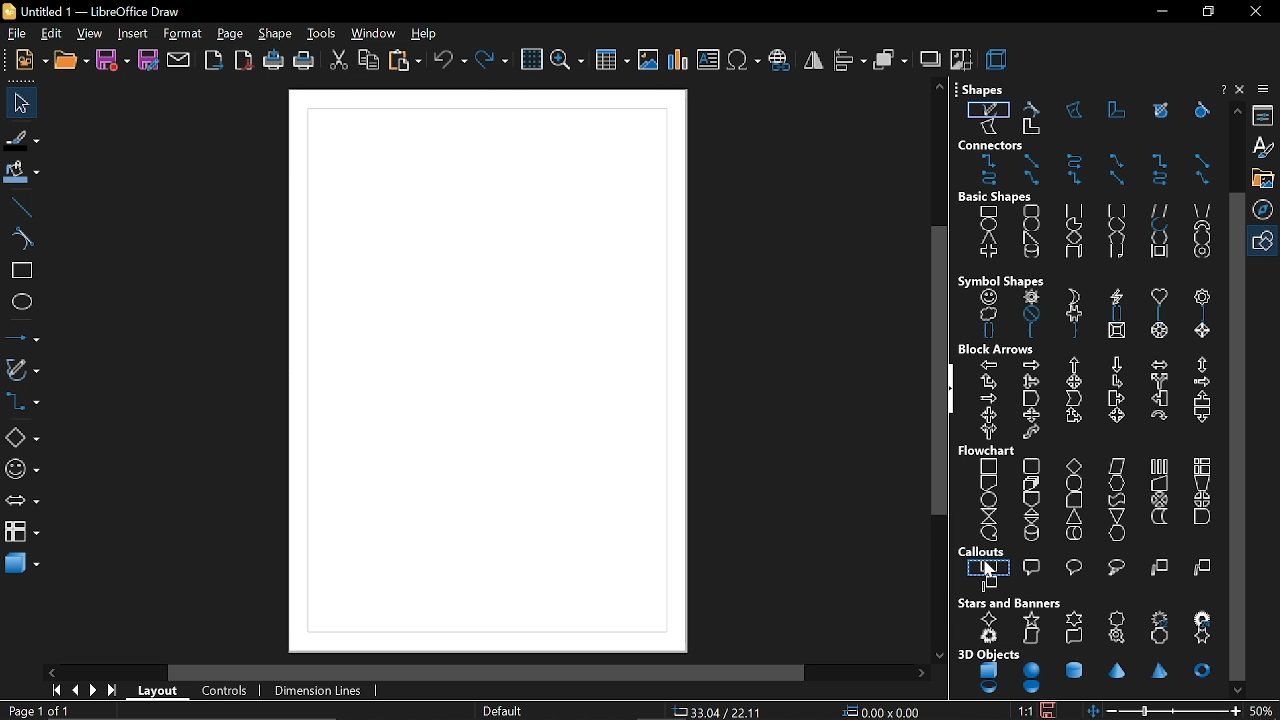 The height and width of the screenshot is (720, 1280). I want to click on curved connector ends with arrow, so click(1078, 161).